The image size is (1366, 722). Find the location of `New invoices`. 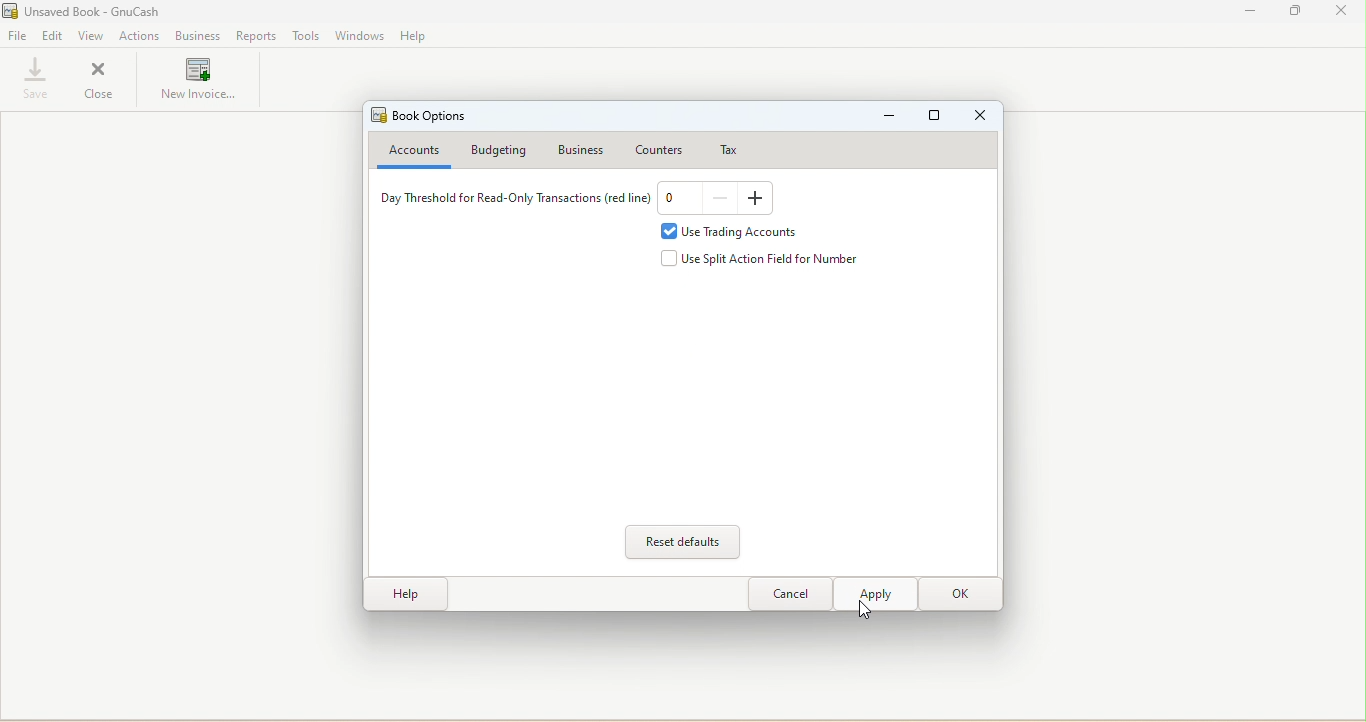

New invoices is located at coordinates (200, 84).